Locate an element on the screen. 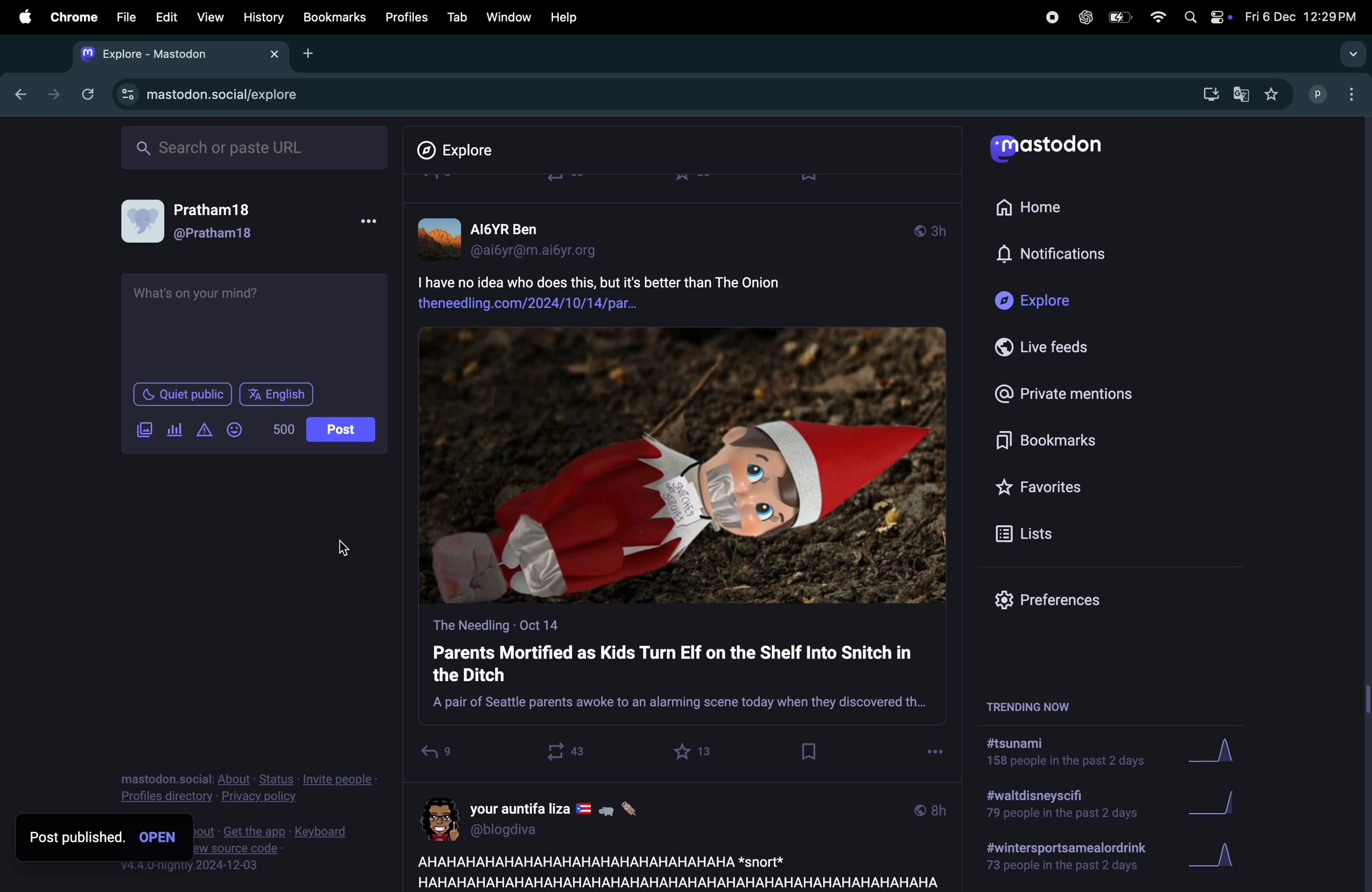  time is located at coordinates (930, 809).